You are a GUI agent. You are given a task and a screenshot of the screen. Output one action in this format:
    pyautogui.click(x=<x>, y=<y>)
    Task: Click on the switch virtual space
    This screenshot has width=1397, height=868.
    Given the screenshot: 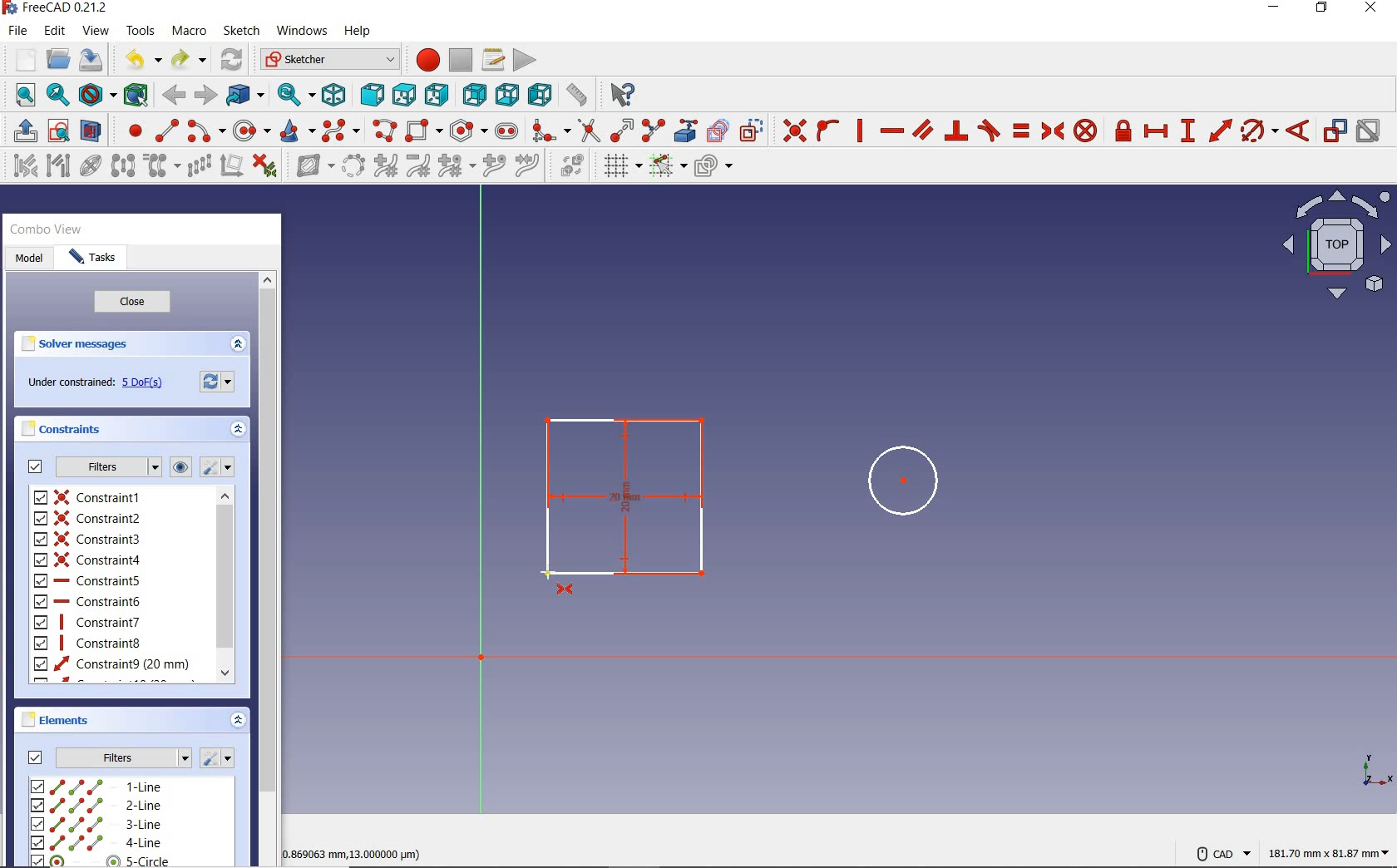 What is the action you would take?
    pyautogui.click(x=569, y=167)
    